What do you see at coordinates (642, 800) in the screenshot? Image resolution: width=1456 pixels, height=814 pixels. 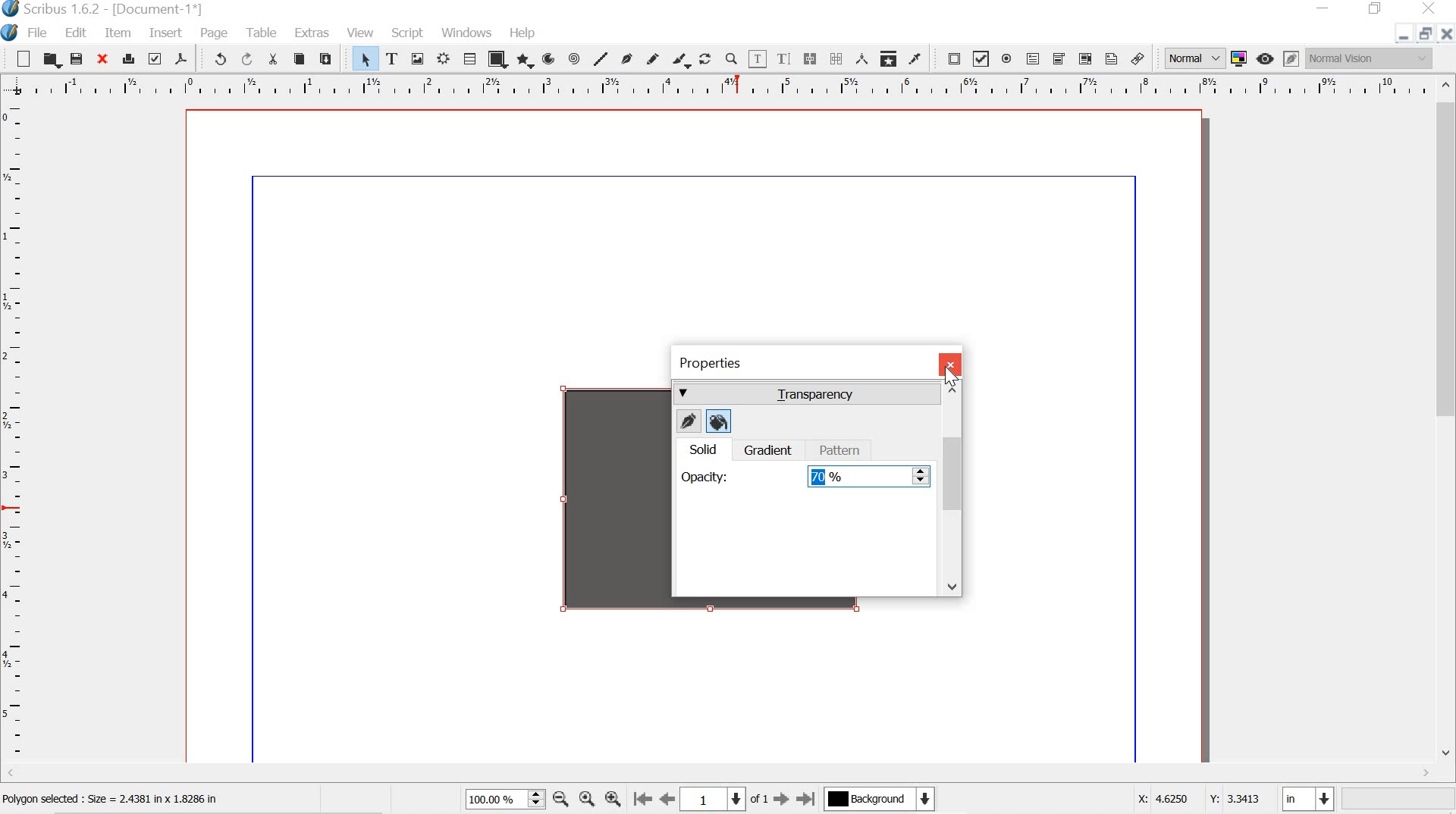 I see `go to first page` at bounding box center [642, 800].